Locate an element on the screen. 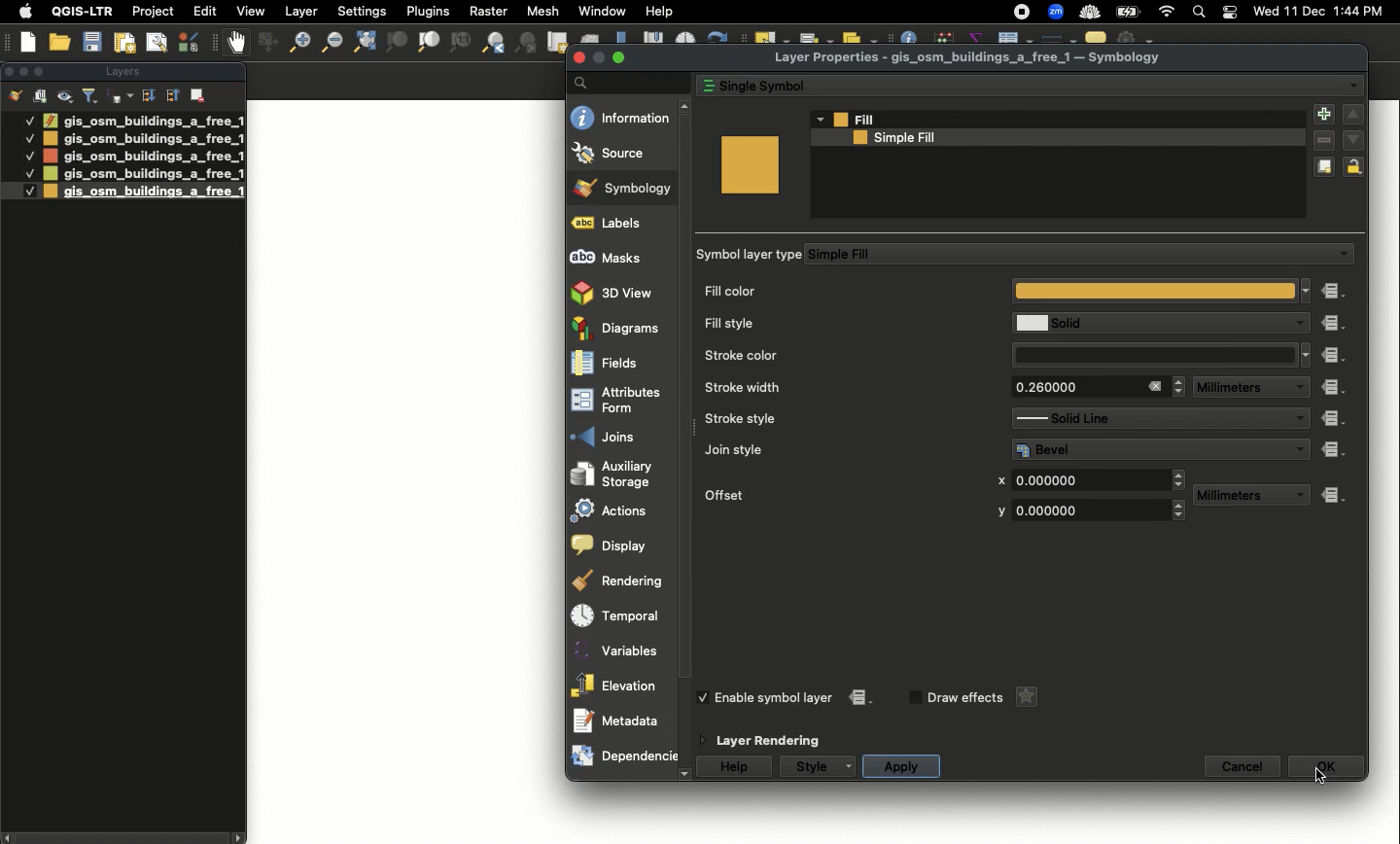  Stroke color is located at coordinates (842, 354).